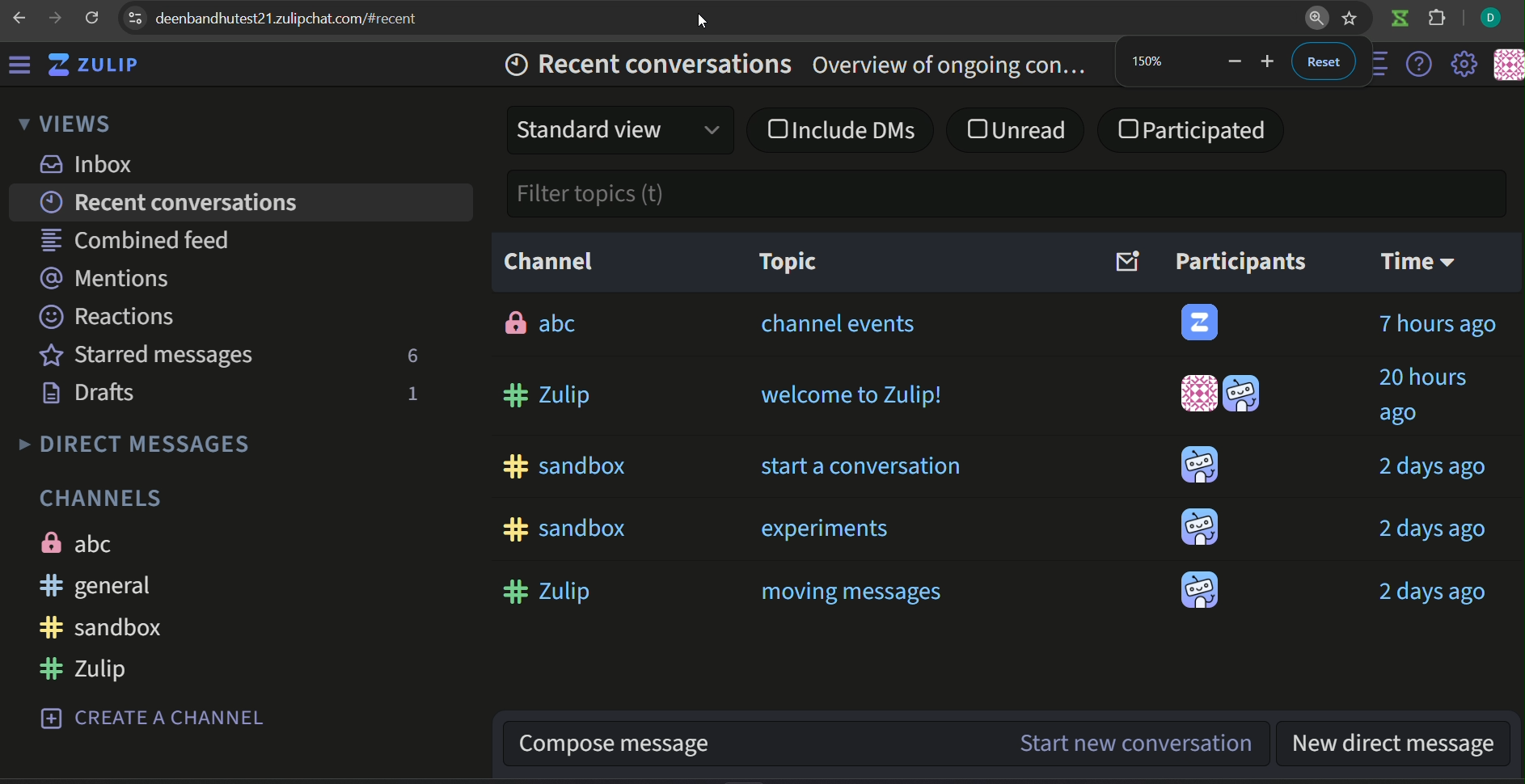  Describe the element at coordinates (545, 396) in the screenshot. I see `#zulip` at that location.